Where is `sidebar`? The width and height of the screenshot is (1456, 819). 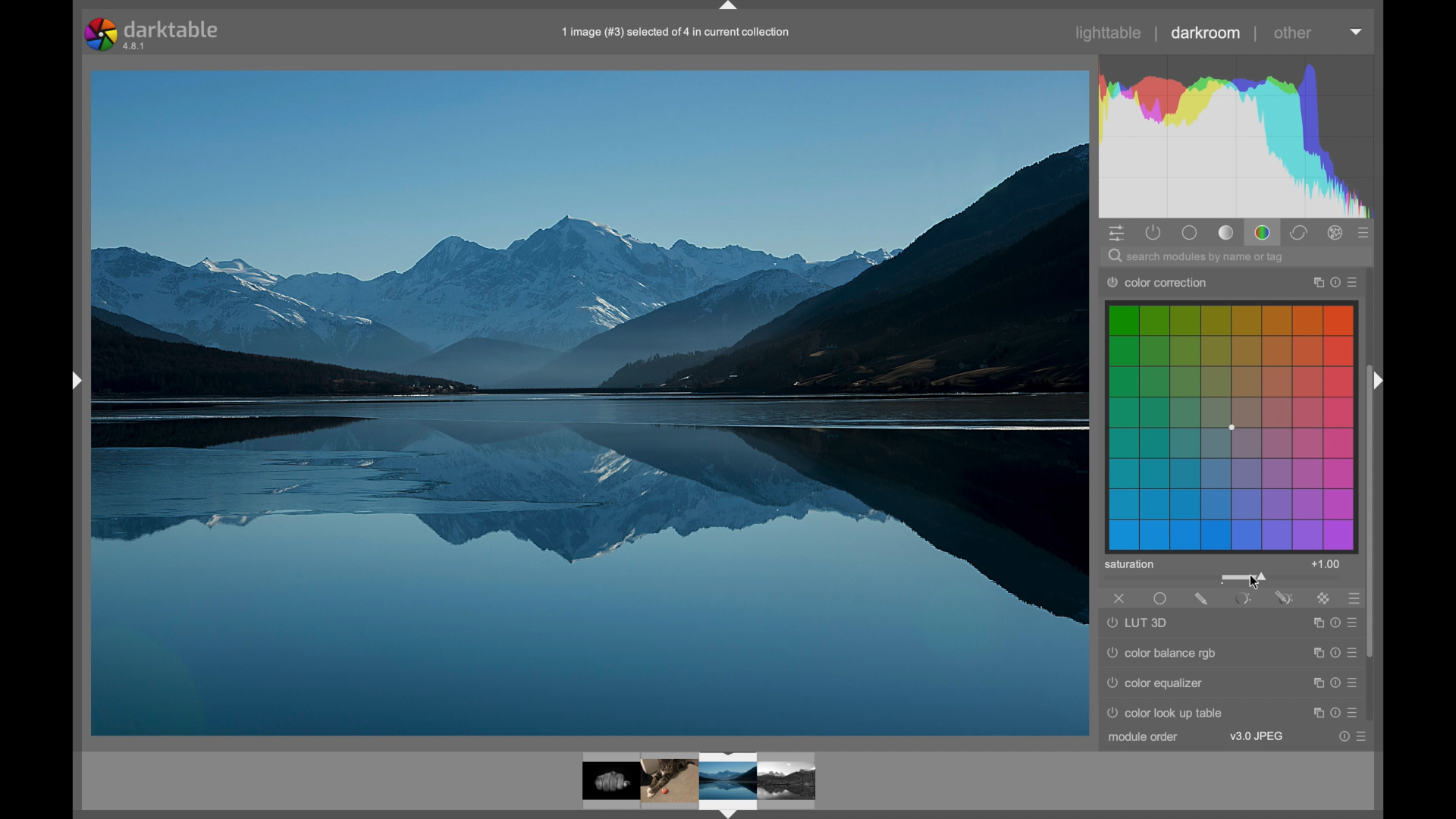 sidebar is located at coordinates (74, 381).